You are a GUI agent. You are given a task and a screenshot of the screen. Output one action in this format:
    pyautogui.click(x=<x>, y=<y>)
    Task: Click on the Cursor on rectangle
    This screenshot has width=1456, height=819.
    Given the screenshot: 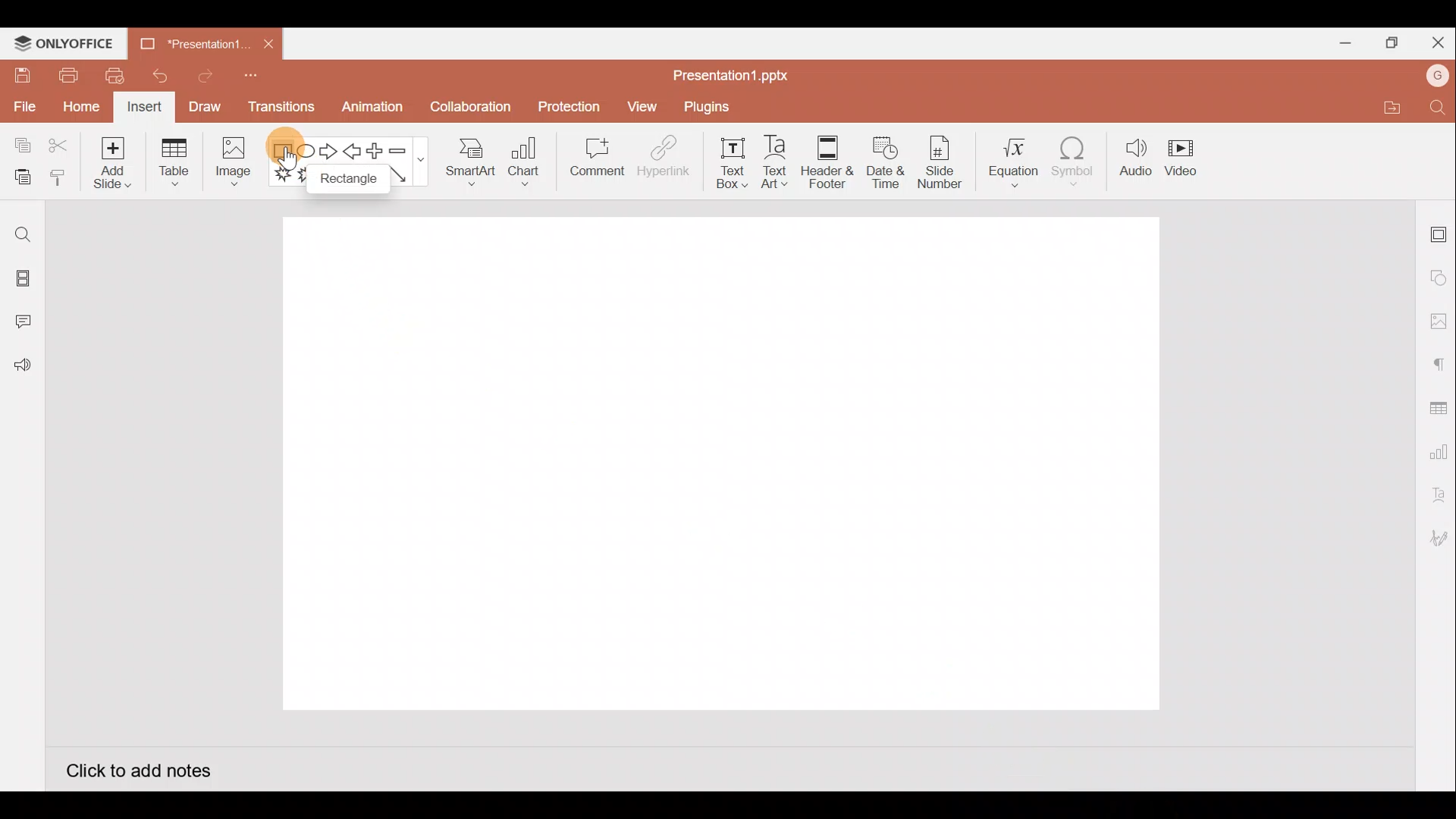 What is the action you would take?
    pyautogui.click(x=282, y=136)
    